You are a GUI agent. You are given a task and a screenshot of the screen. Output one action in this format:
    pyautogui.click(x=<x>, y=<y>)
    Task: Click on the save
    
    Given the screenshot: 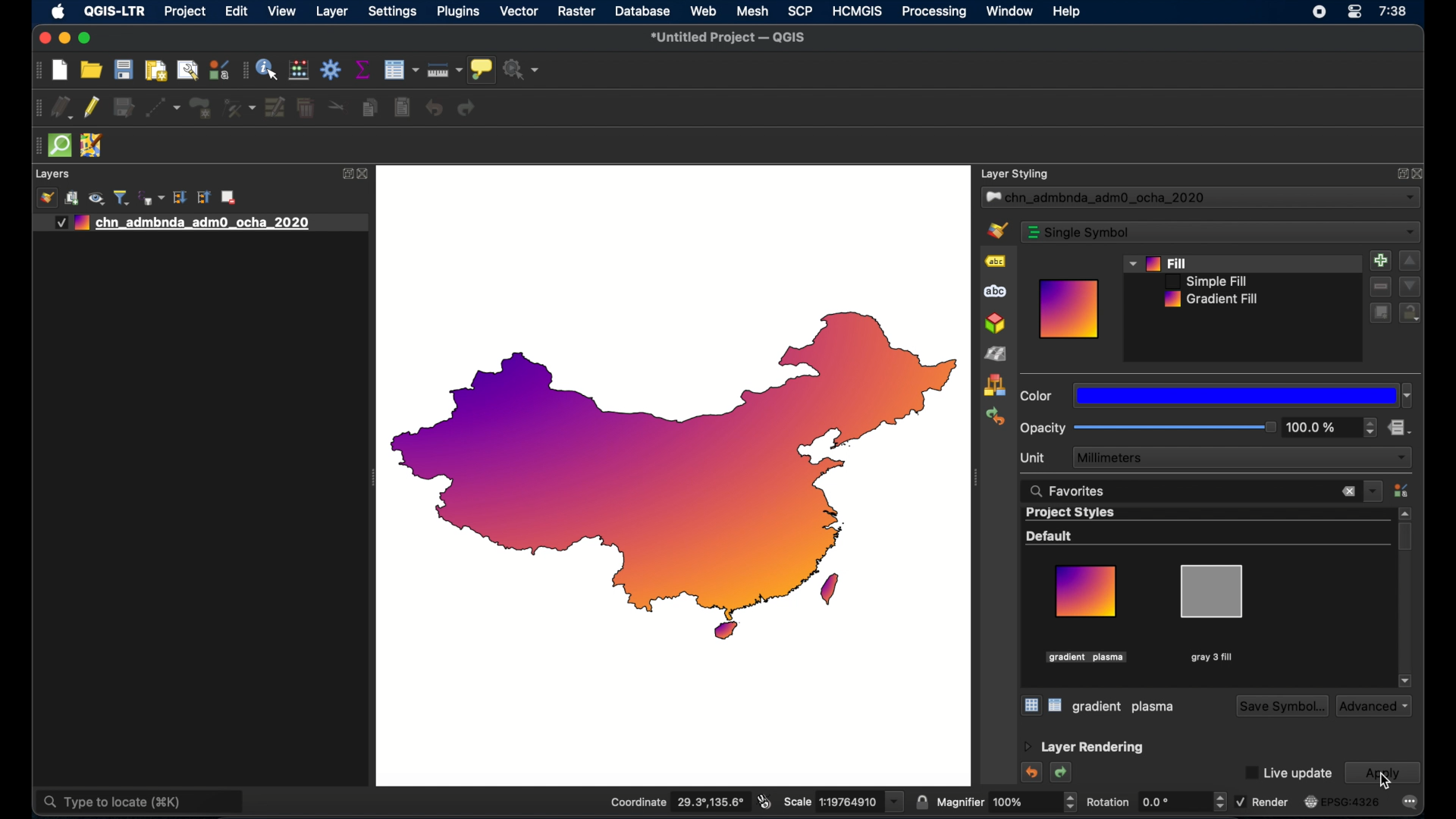 What is the action you would take?
    pyautogui.click(x=124, y=69)
    